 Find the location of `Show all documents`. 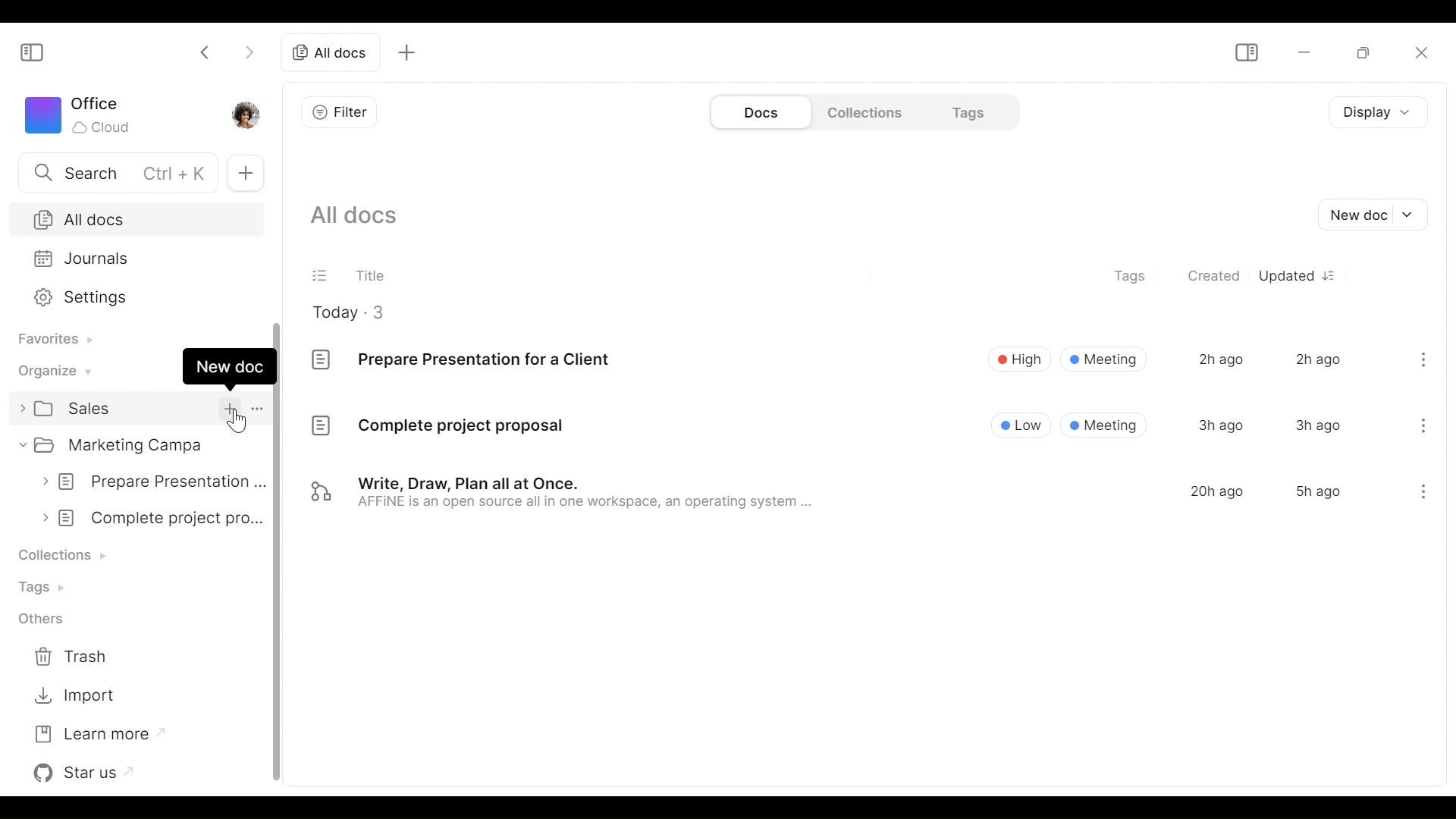

Show all documents is located at coordinates (361, 217).